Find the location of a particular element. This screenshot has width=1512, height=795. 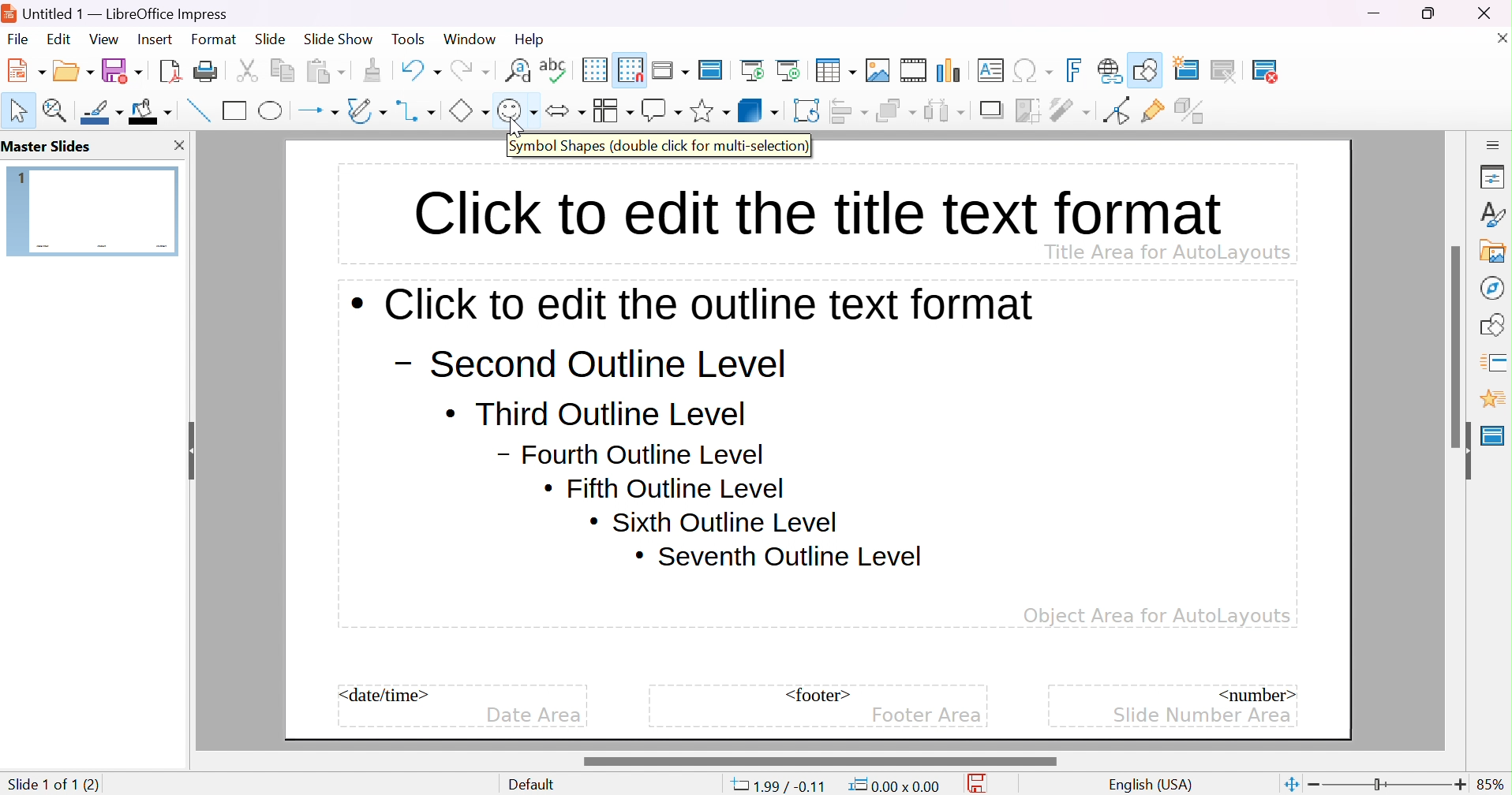

shadow is located at coordinates (994, 111).